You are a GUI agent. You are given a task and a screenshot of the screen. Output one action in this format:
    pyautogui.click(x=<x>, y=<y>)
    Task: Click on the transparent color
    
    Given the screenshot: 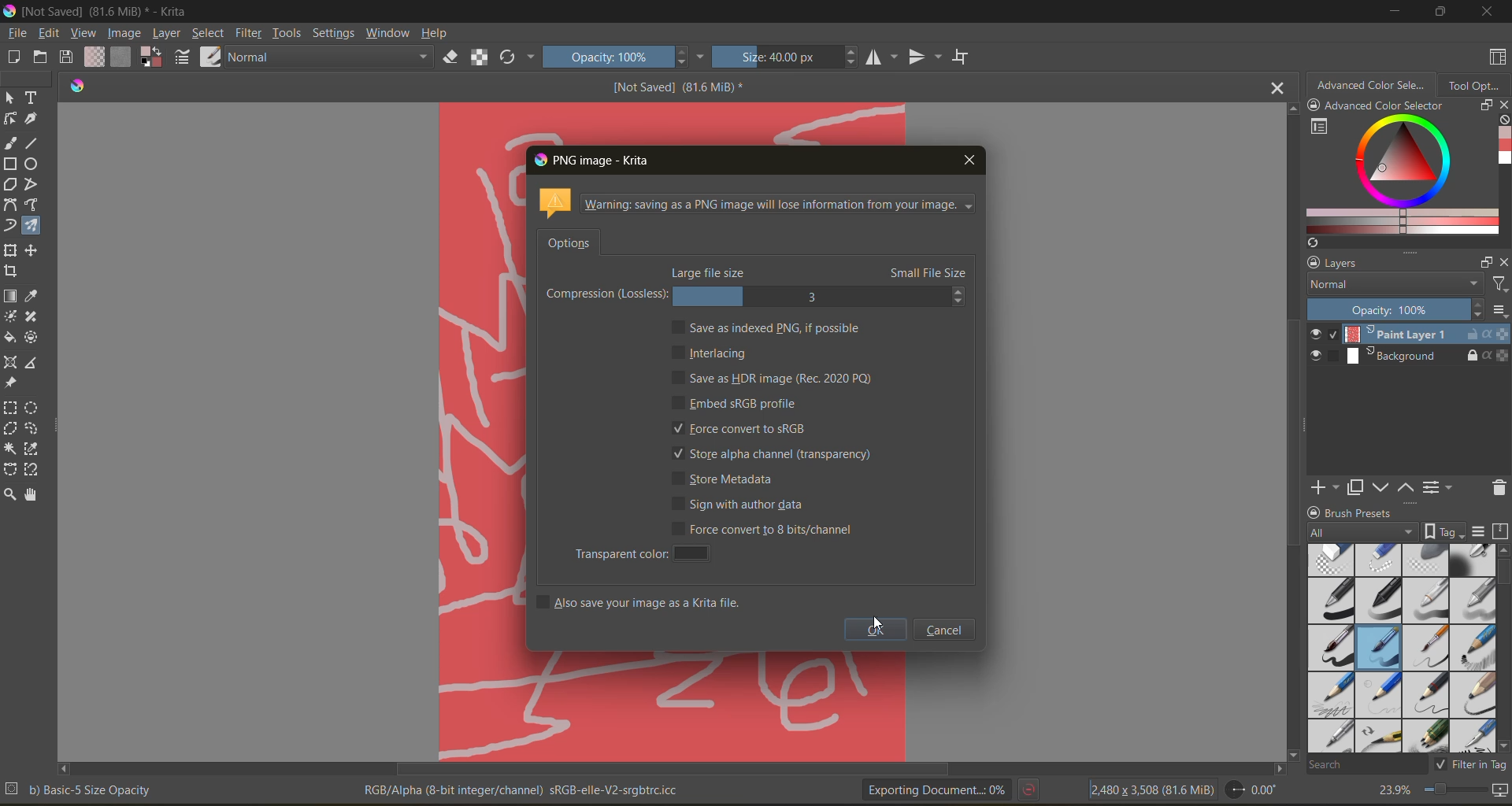 What is the action you would take?
    pyautogui.click(x=654, y=556)
    